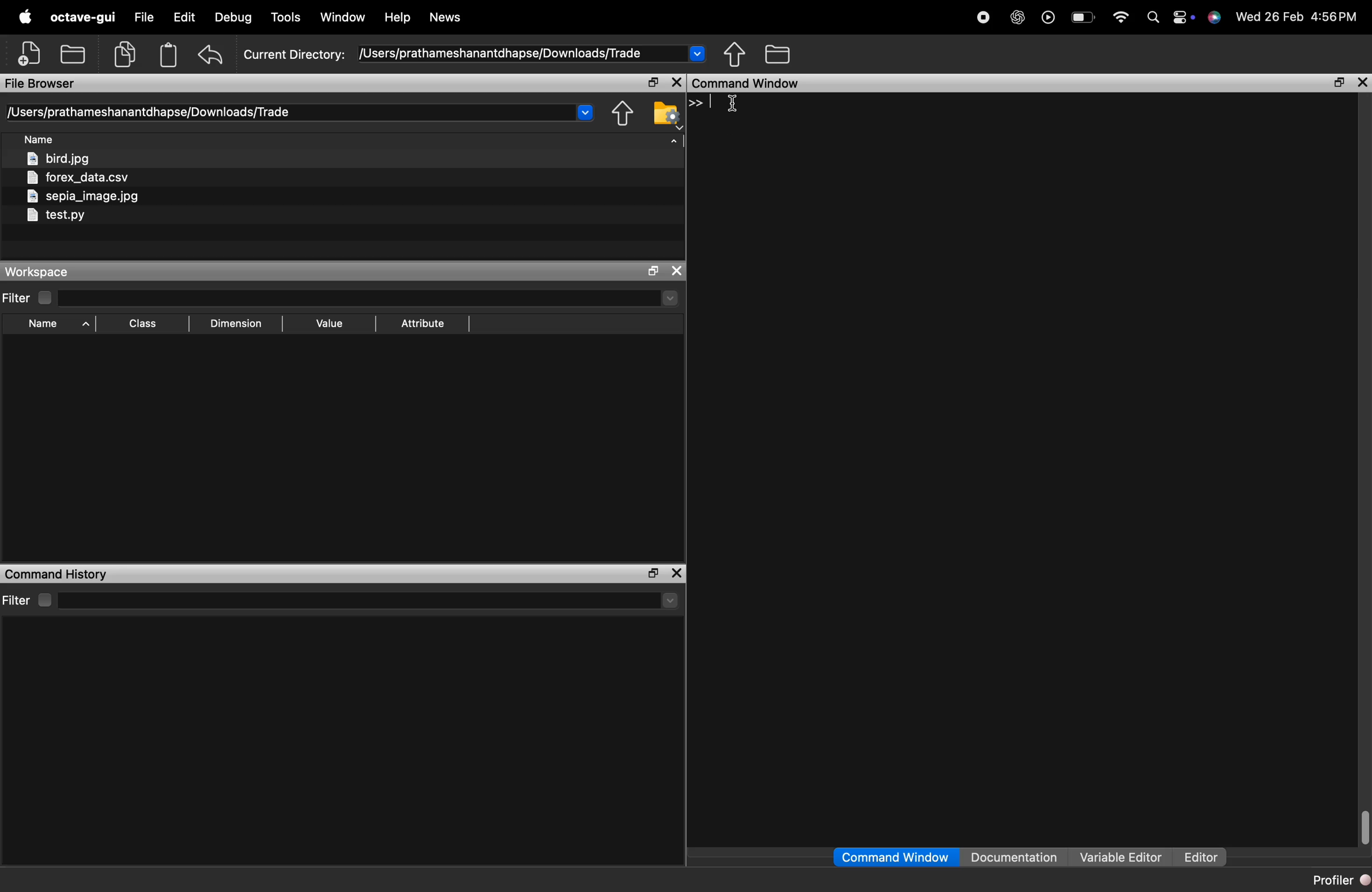 Image resolution: width=1372 pixels, height=892 pixels. I want to click on cursor, so click(733, 103).